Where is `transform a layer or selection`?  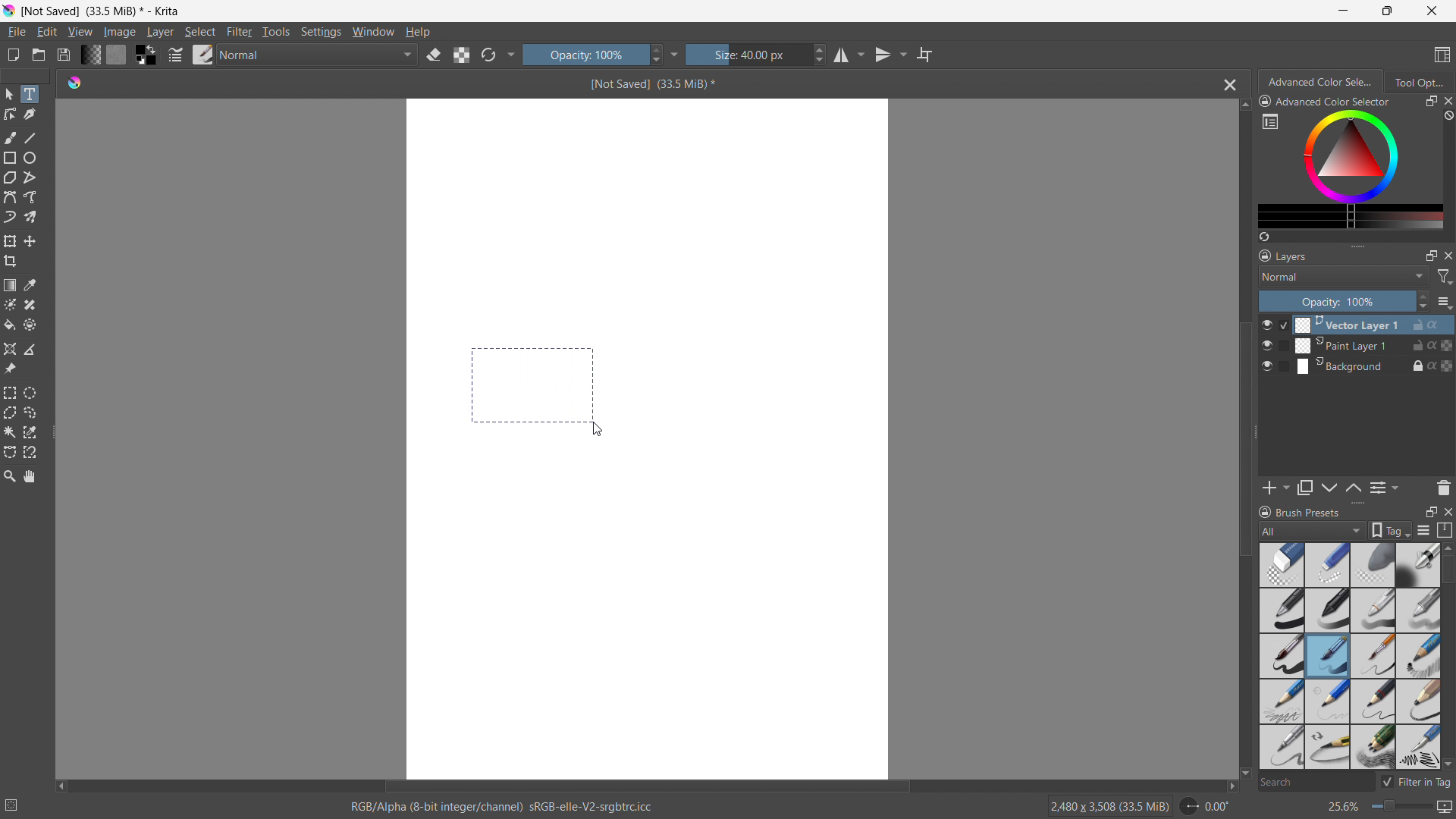
transform a layer or selection is located at coordinates (10, 241).